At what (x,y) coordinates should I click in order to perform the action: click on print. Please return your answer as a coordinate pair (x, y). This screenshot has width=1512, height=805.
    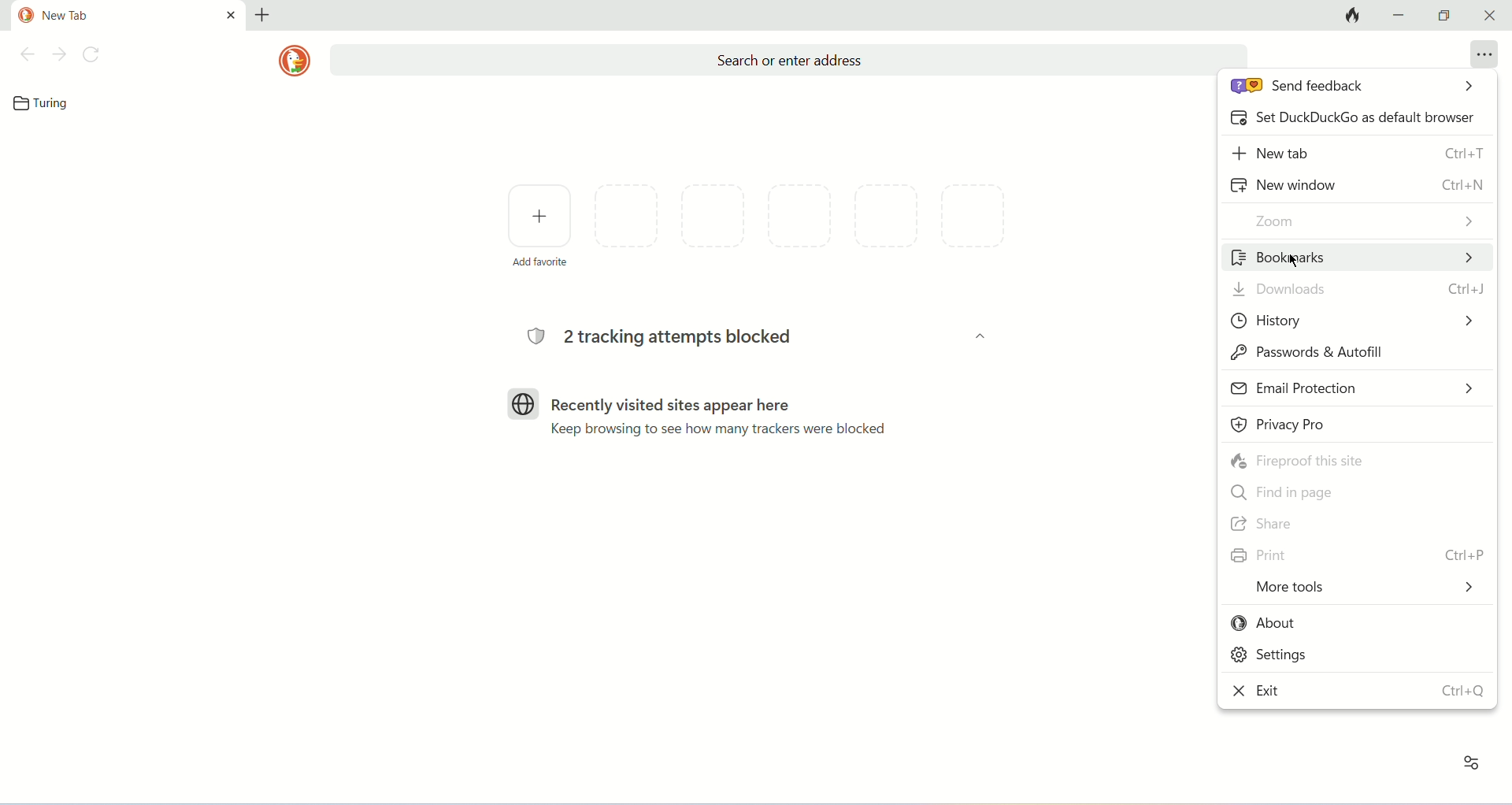
    Looking at the image, I should click on (1358, 559).